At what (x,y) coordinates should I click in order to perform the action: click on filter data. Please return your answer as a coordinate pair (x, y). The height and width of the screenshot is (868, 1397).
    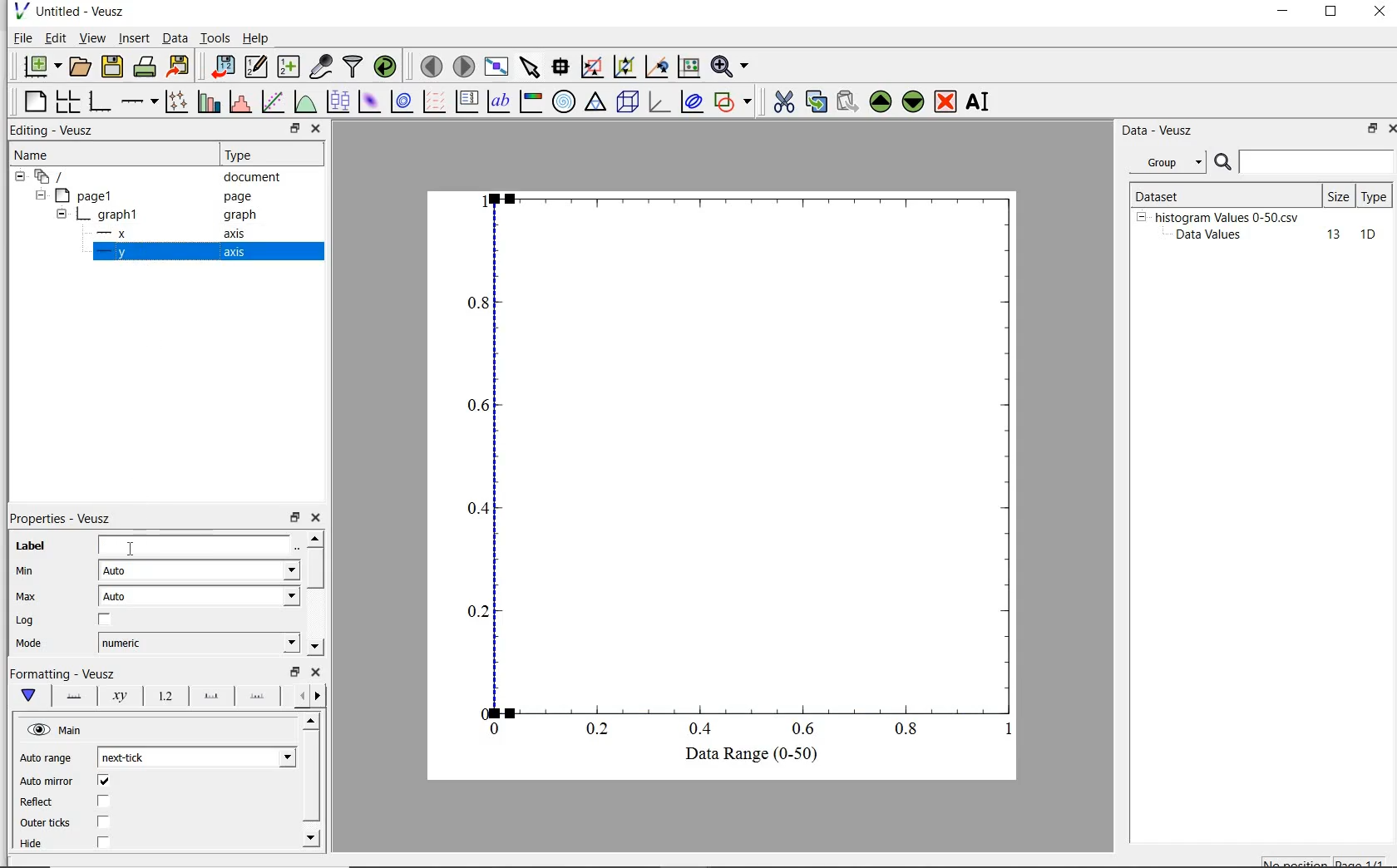
    Looking at the image, I should click on (353, 67).